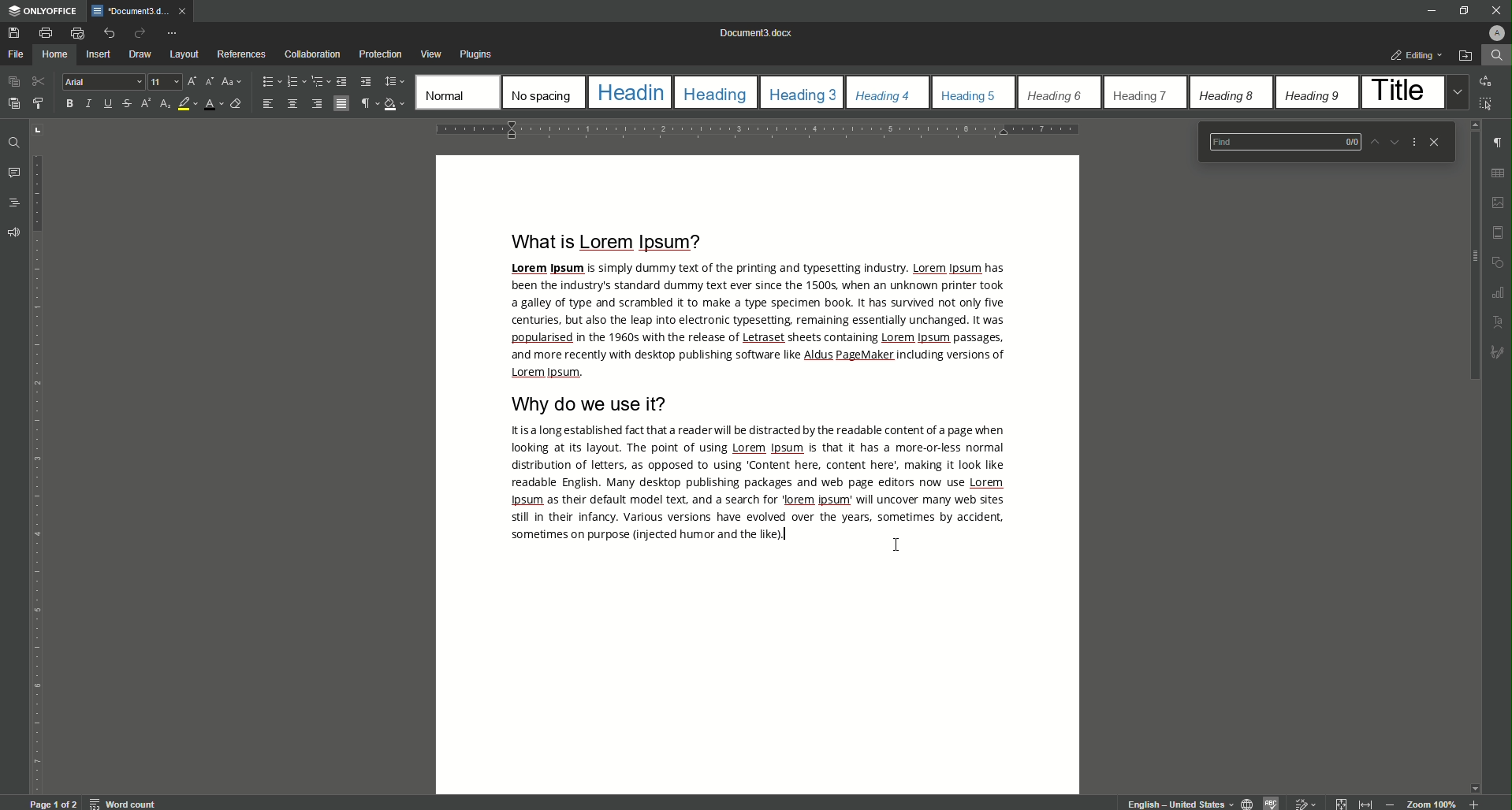 Image resolution: width=1512 pixels, height=810 pixels. What do you see at coordinates (1501, 322) in the screenshot?
I see `Text uppercase` at bounding box center [1501, 322].